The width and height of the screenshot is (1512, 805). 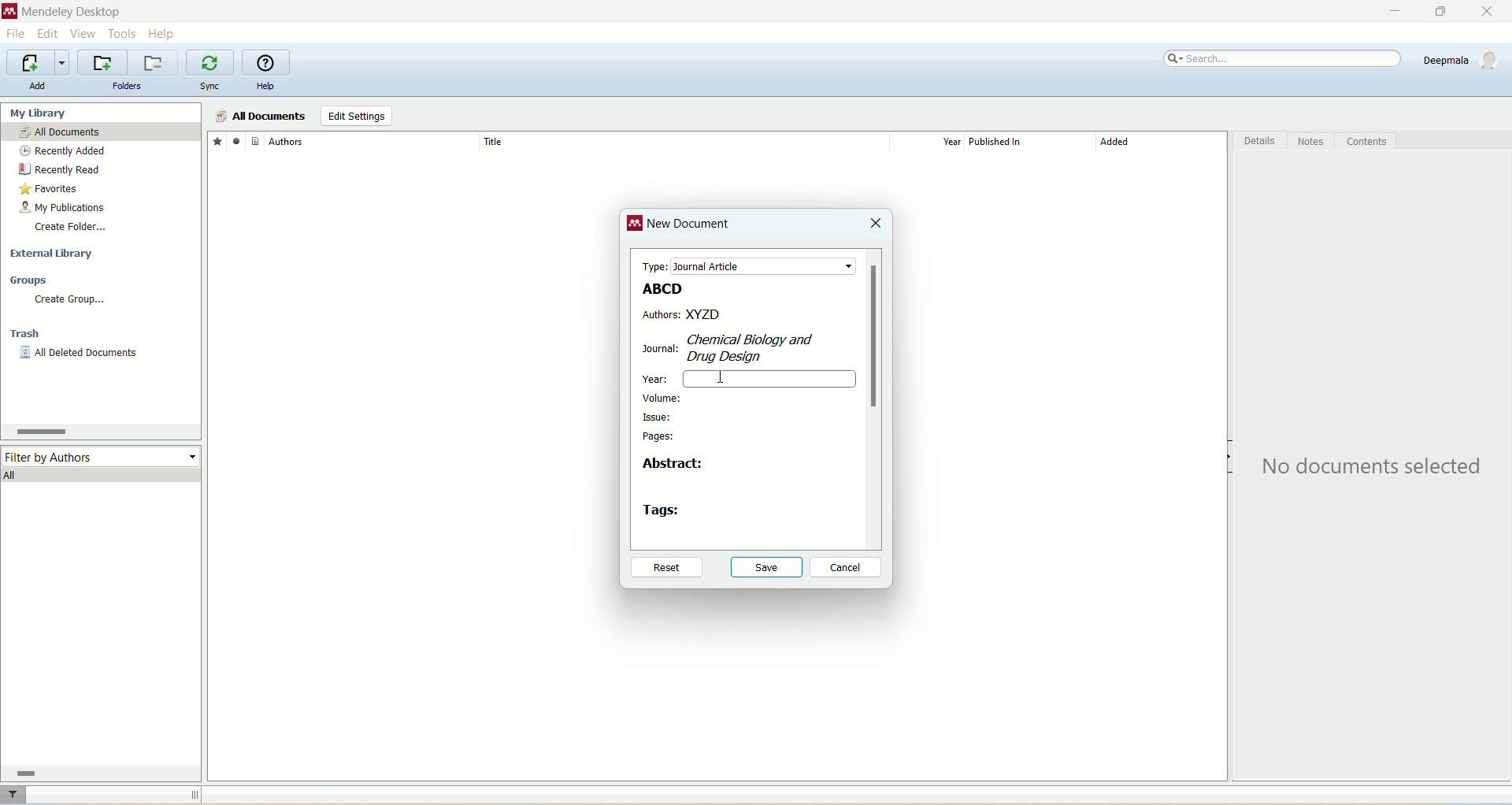 I want to click on text, so click(x=1376, y=467).